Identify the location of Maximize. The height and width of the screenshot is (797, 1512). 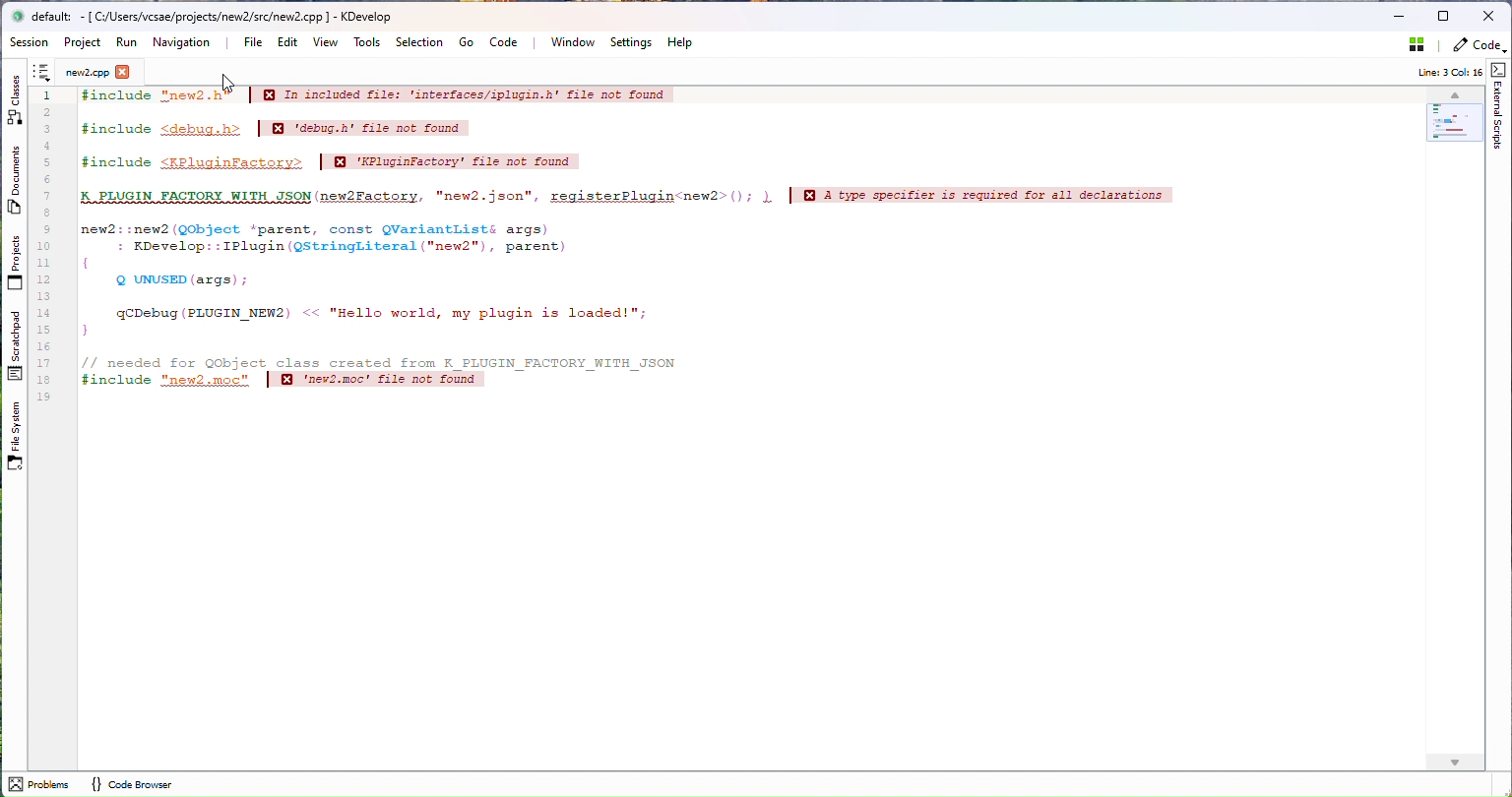
(1443, 17).